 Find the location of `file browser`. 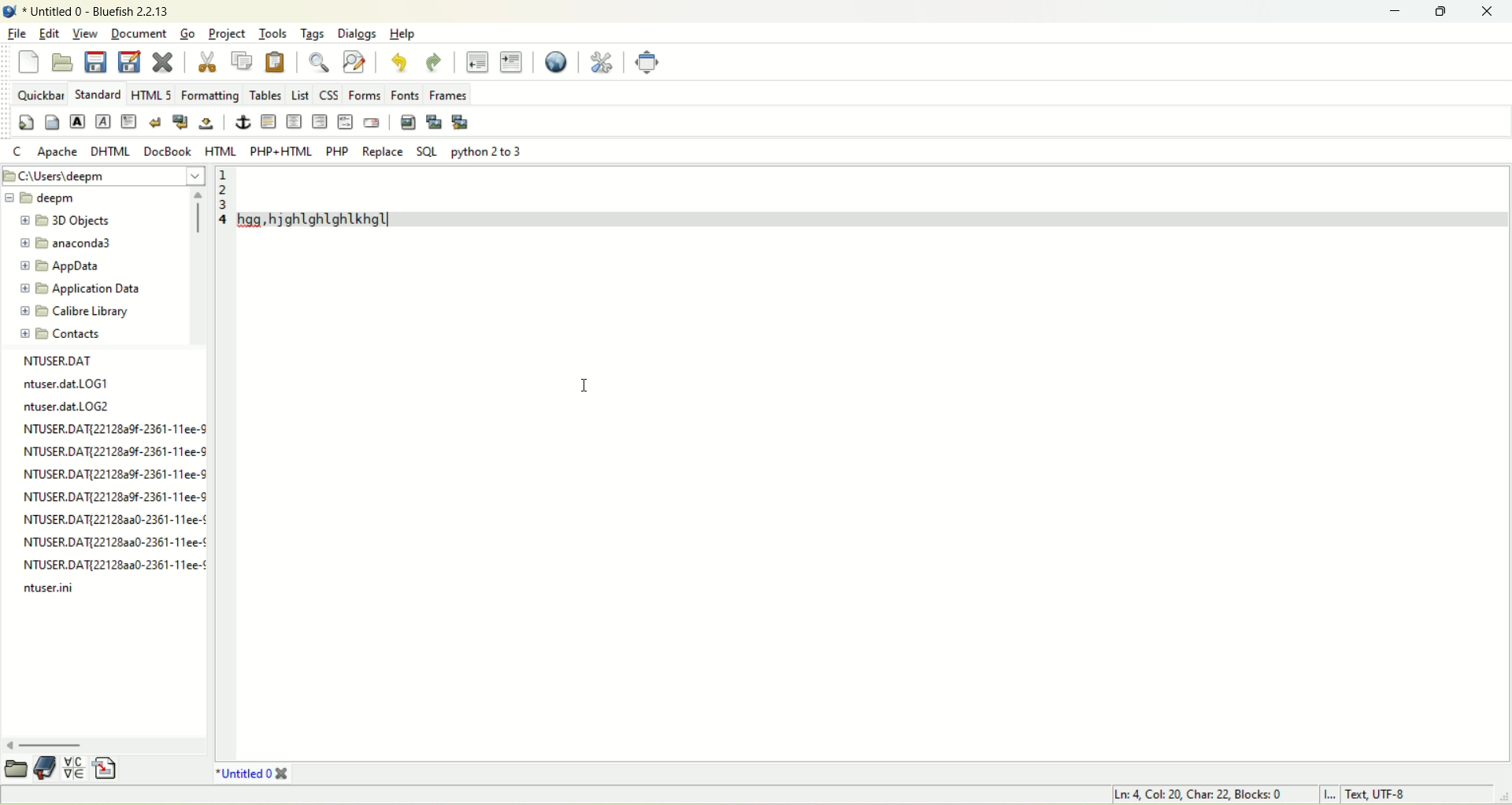

file browser is located at coordinates (15, 770).